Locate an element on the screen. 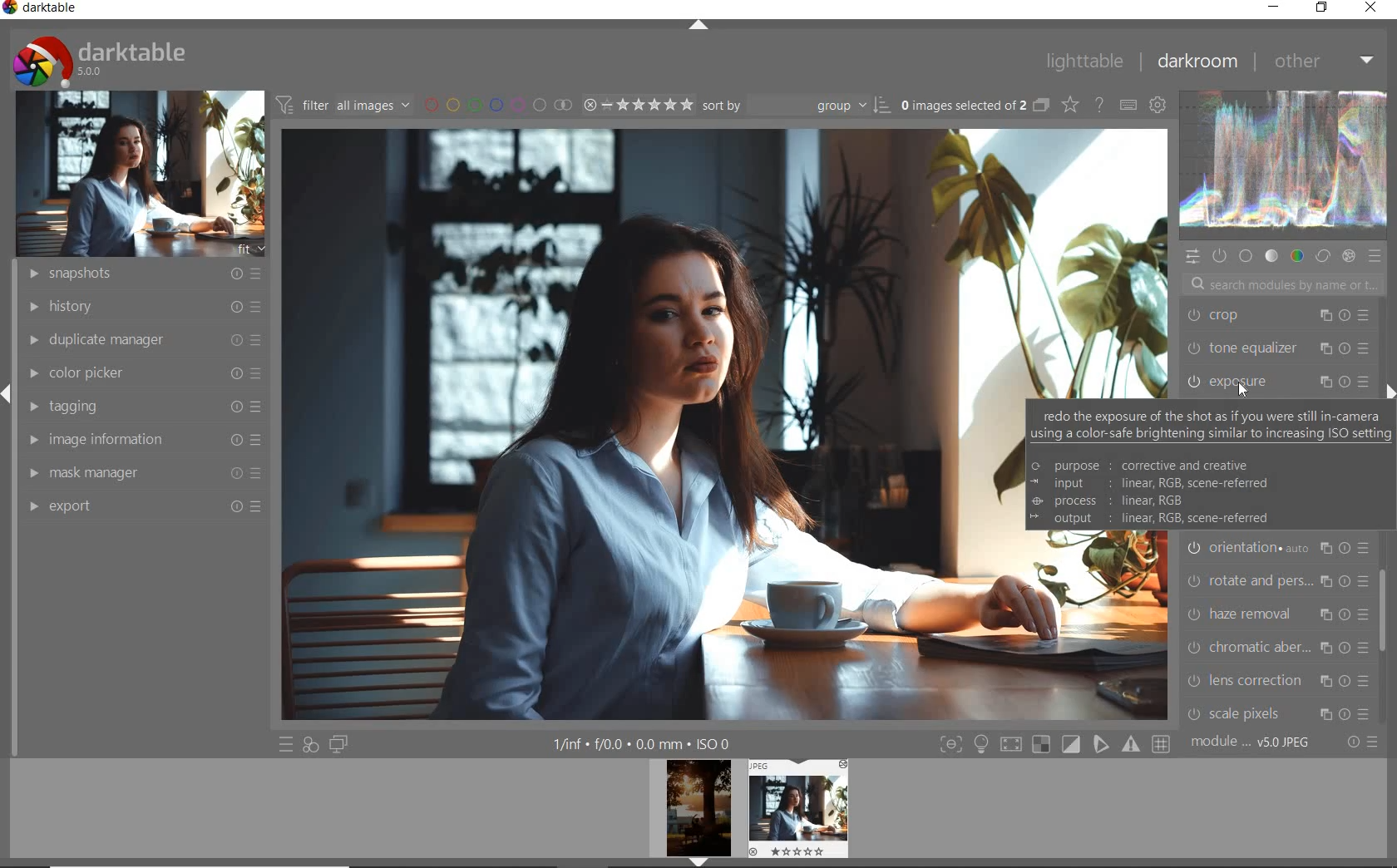 The image size is (1397, 868). QUICK ACCESS TO PRESET is located at coordinates (285, 743).